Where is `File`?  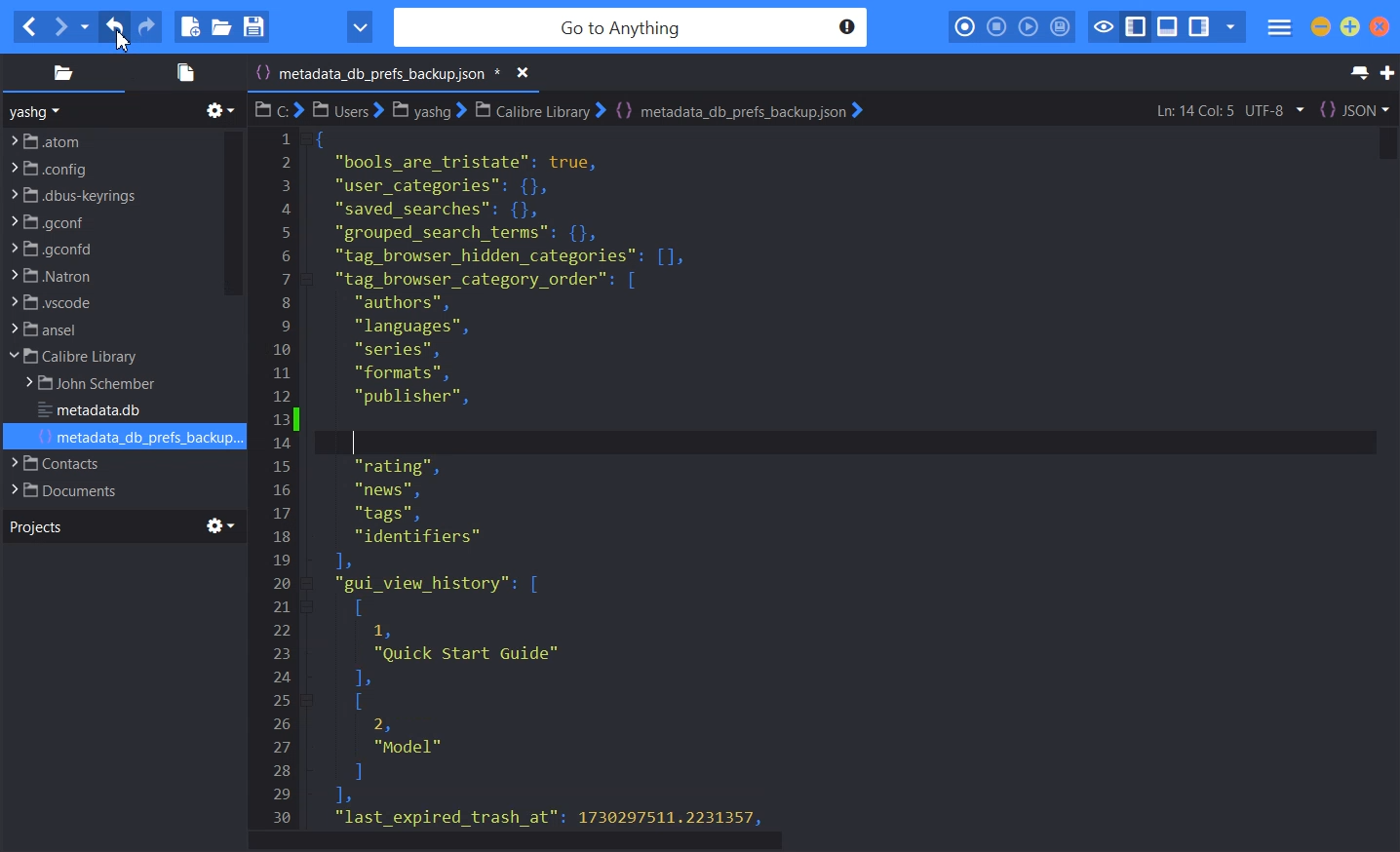
File is located at coordinates (108, 357).